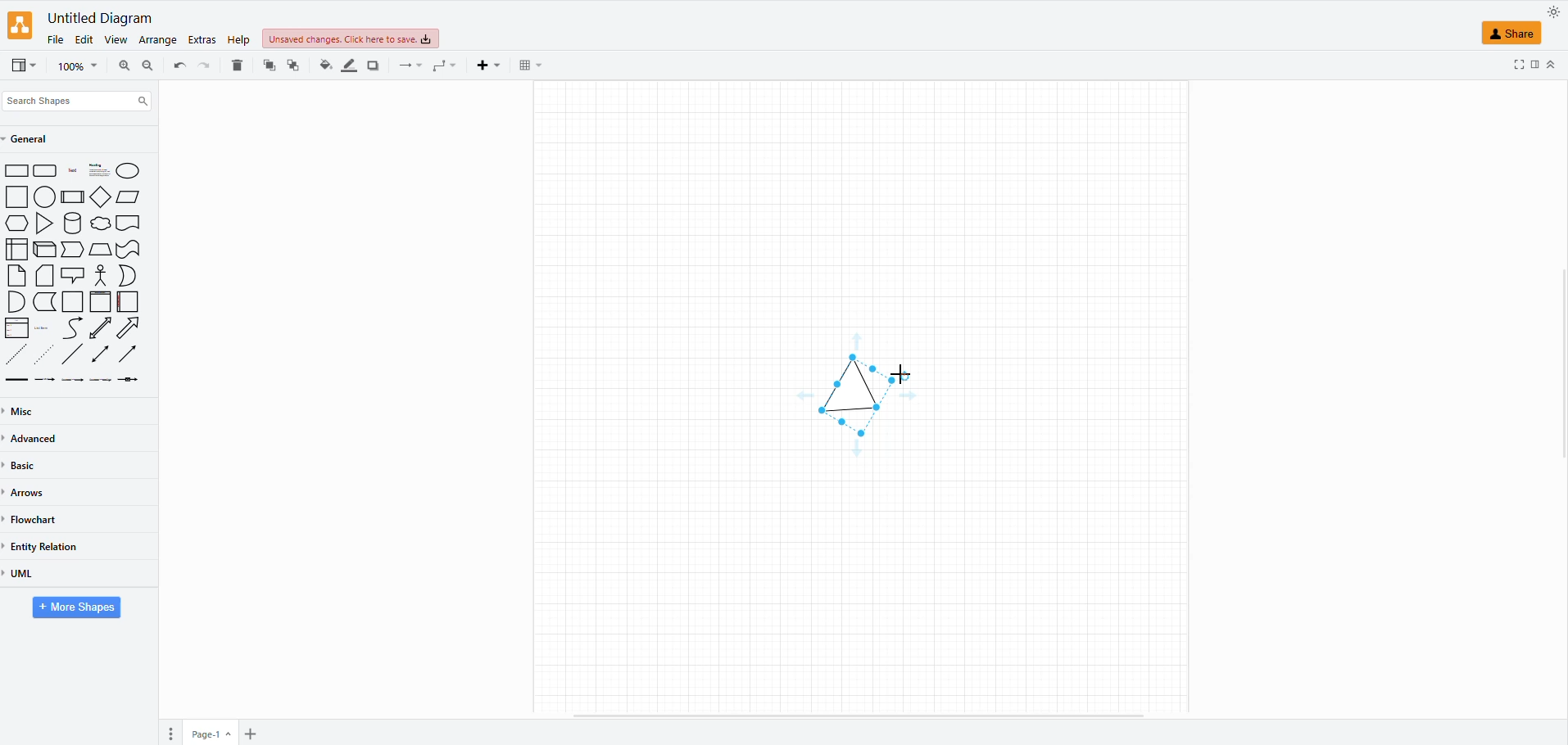 The image size is (1568, 745). Describe the element at coordinates (487, 66) in the screenshot. I see `insert ` at that location.